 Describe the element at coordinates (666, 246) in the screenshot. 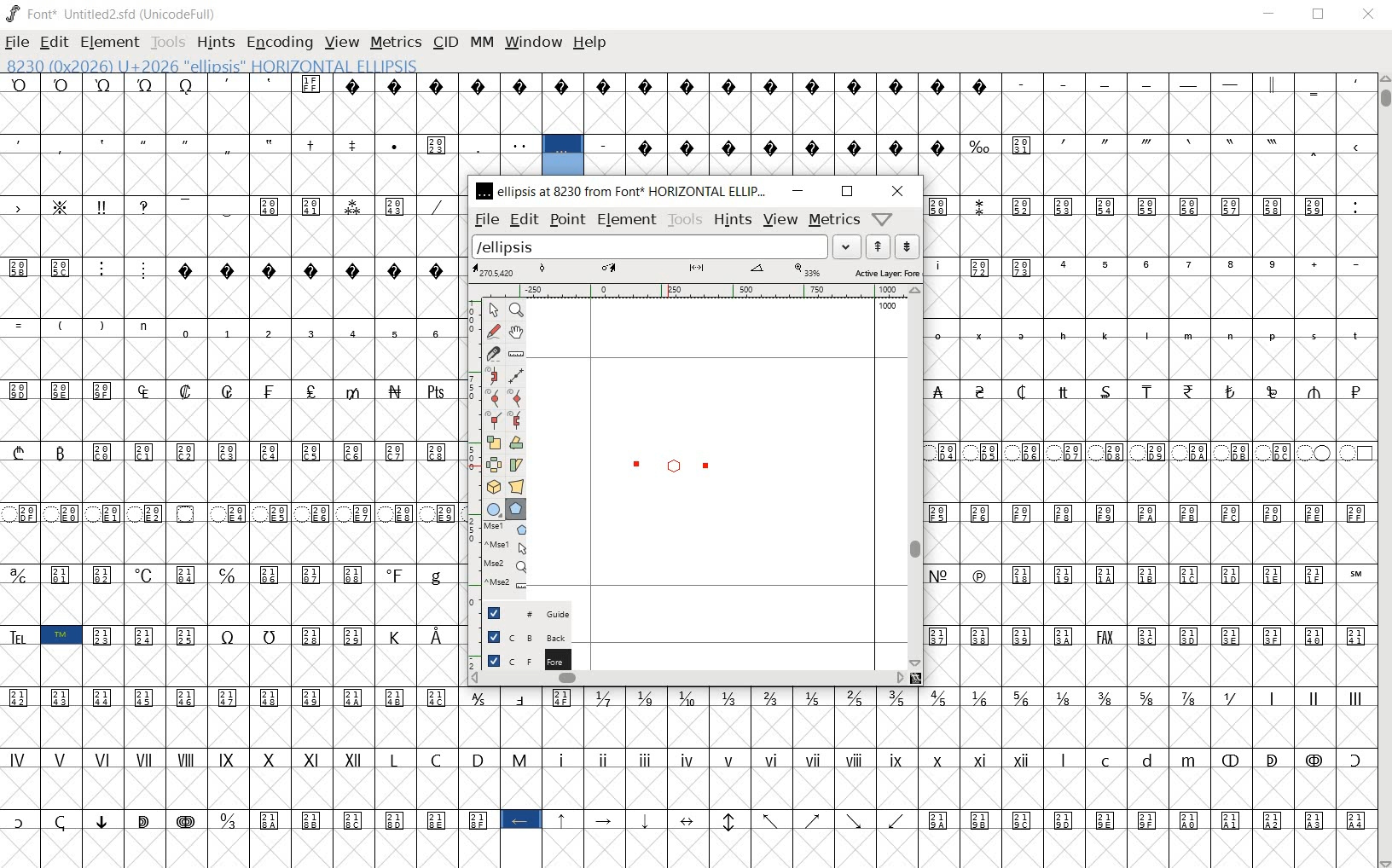

I see `load word list` at that location.